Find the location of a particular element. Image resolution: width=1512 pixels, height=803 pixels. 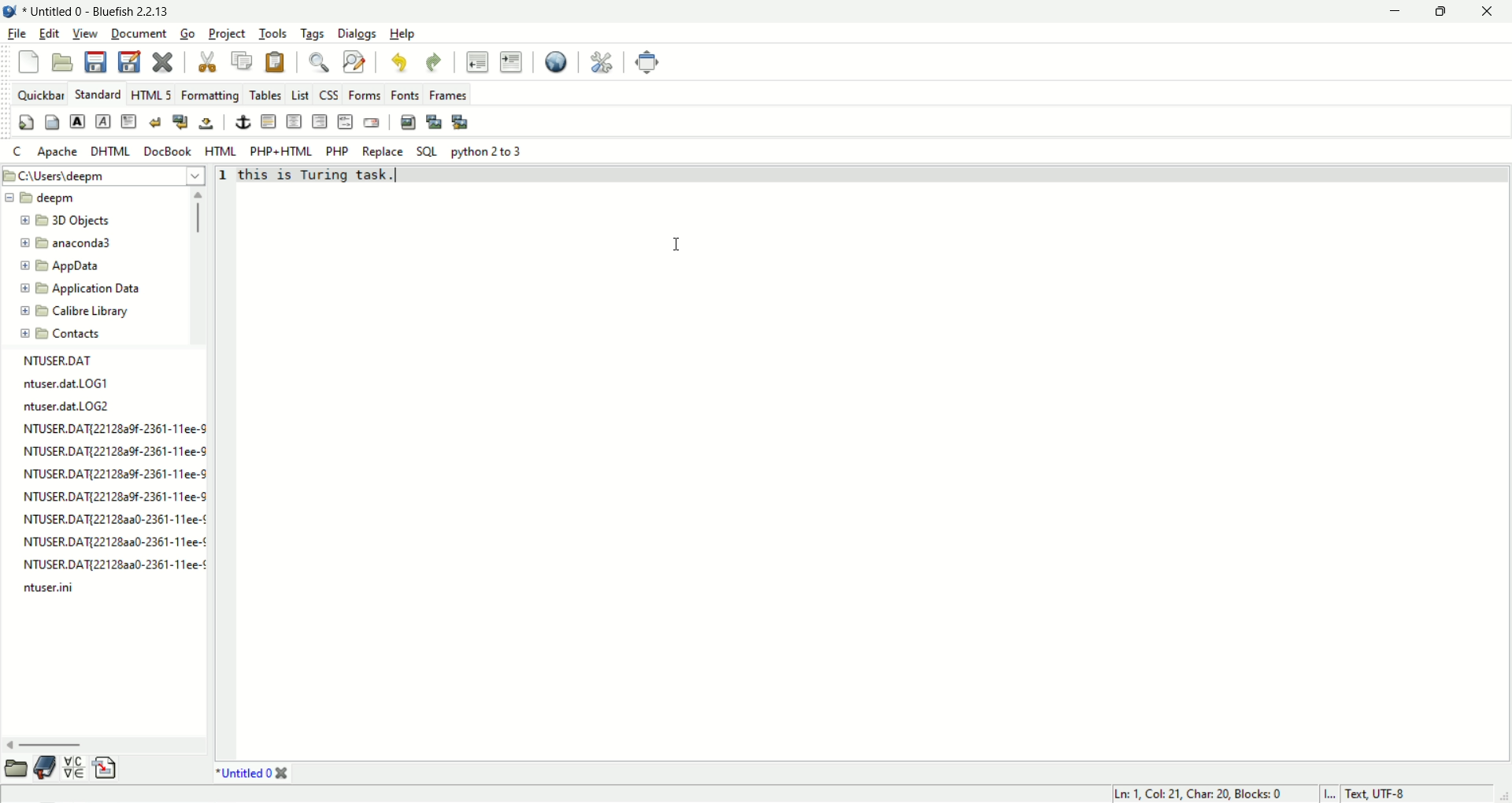

scroll bar is located at coordinates (99, 746).